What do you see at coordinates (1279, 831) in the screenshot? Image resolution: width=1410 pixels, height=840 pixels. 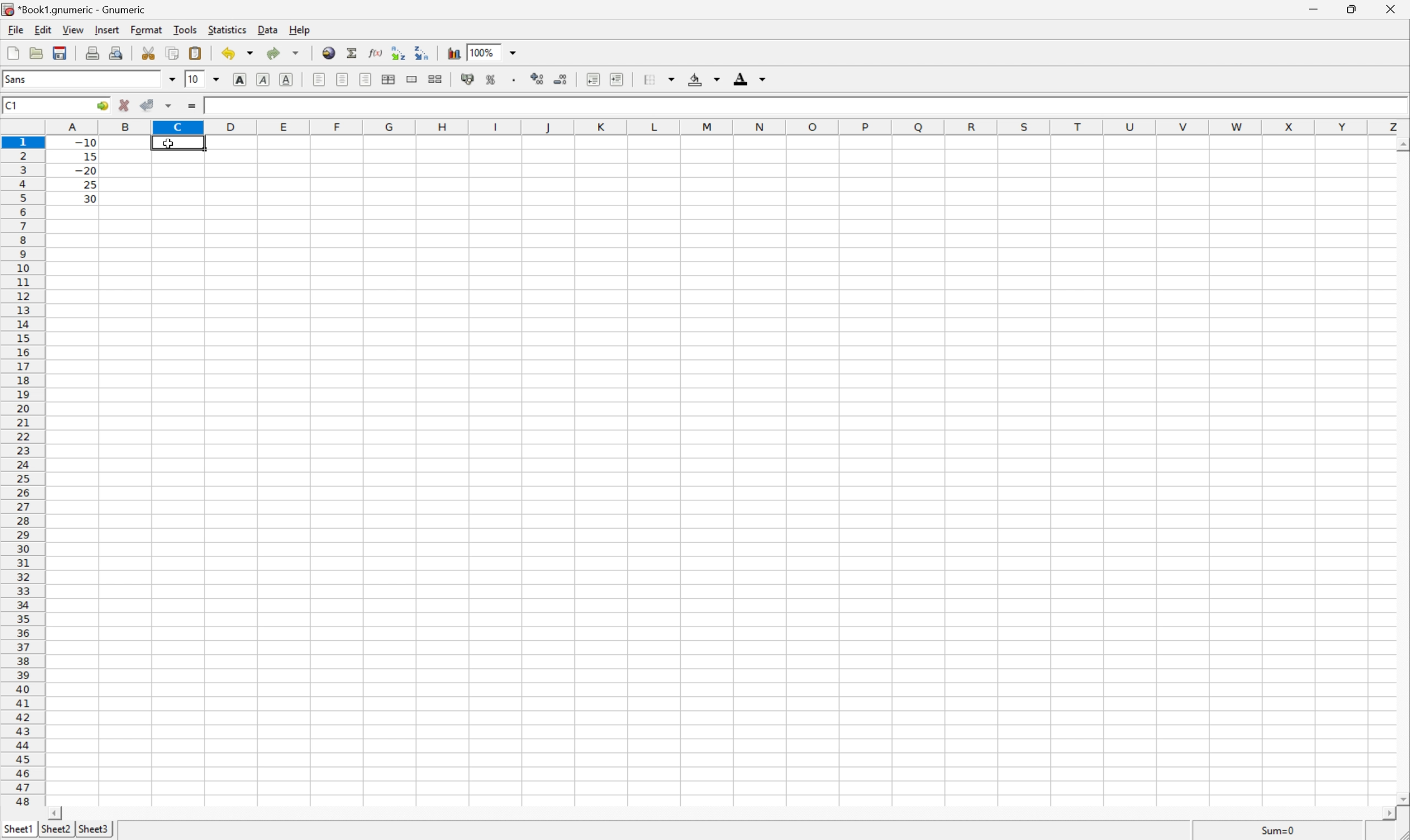 I see `Sum =-10` at bounding box center [1279, 831].